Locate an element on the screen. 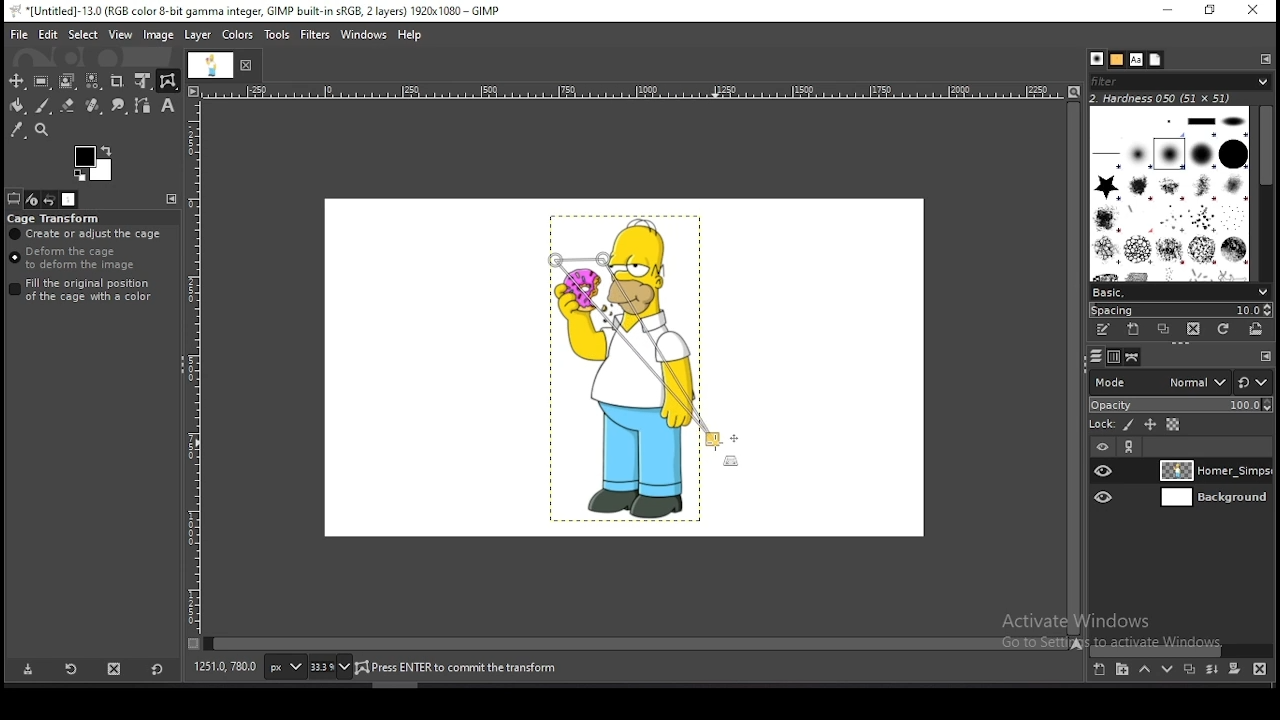 The image size is (1280, 720). filters is located at coordinates (316, 35).